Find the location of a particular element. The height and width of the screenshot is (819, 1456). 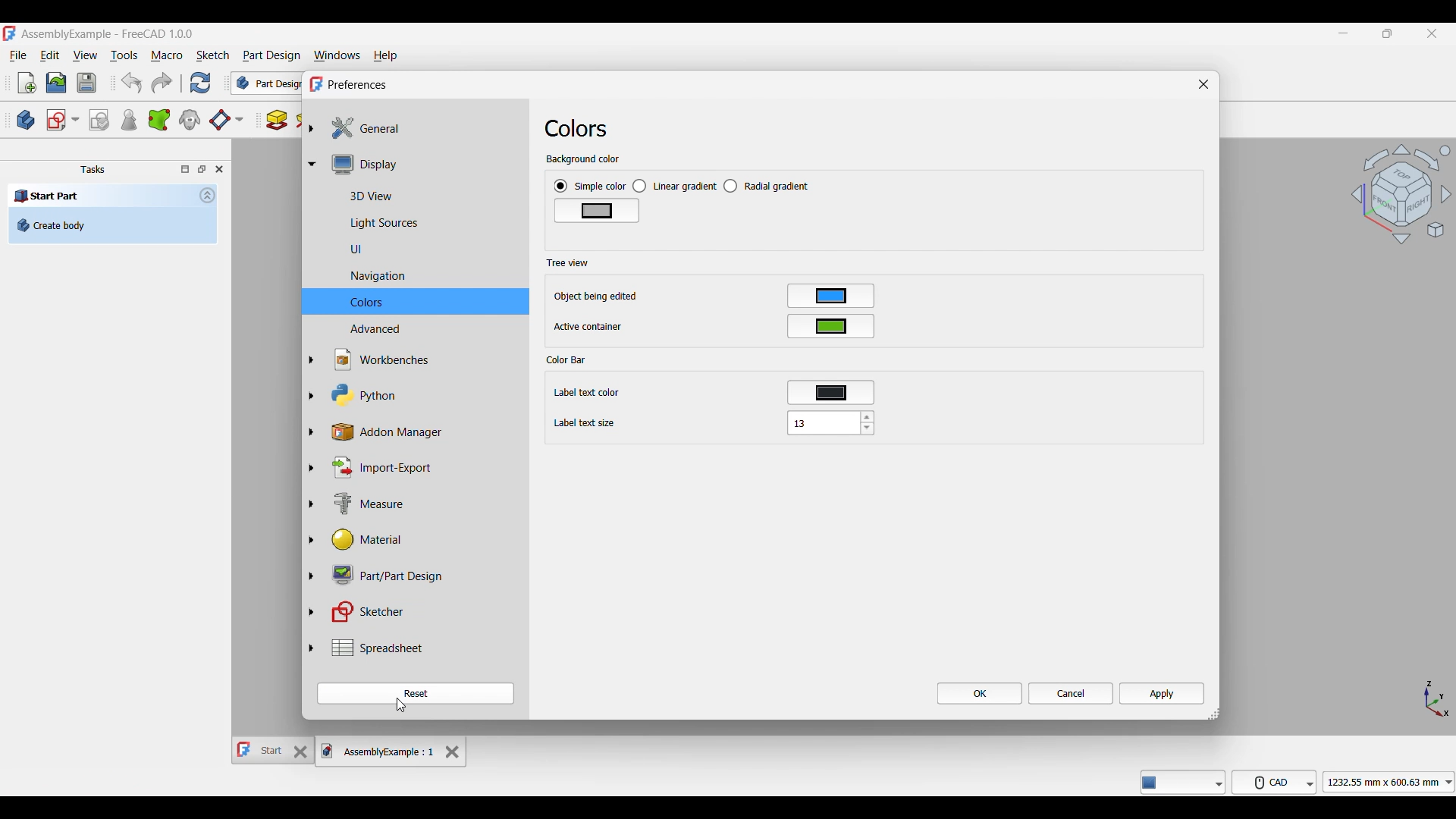

Tree view is located at coordinates (568, 263).